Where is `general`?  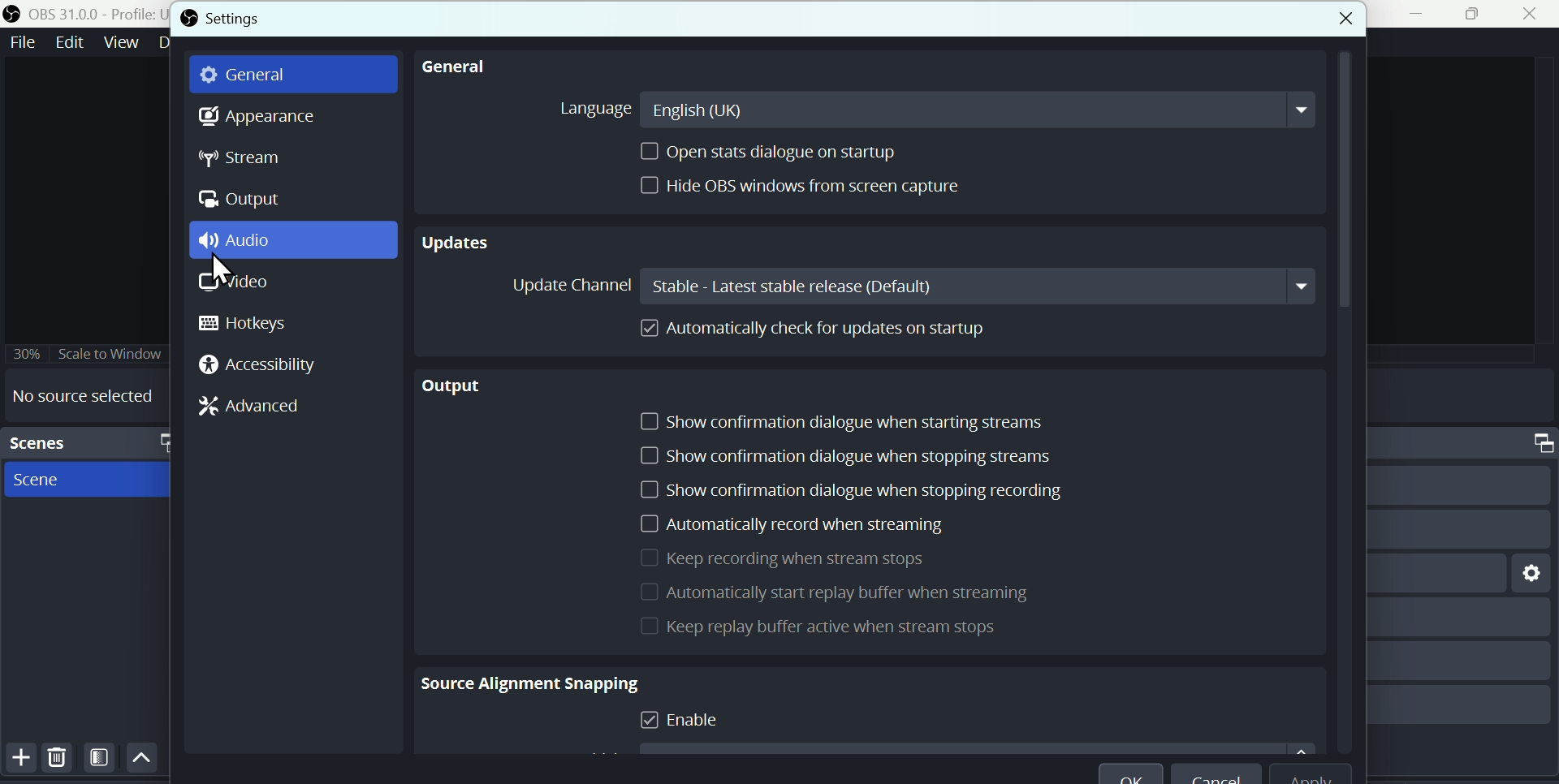
general is located at coordinates (457, 65).